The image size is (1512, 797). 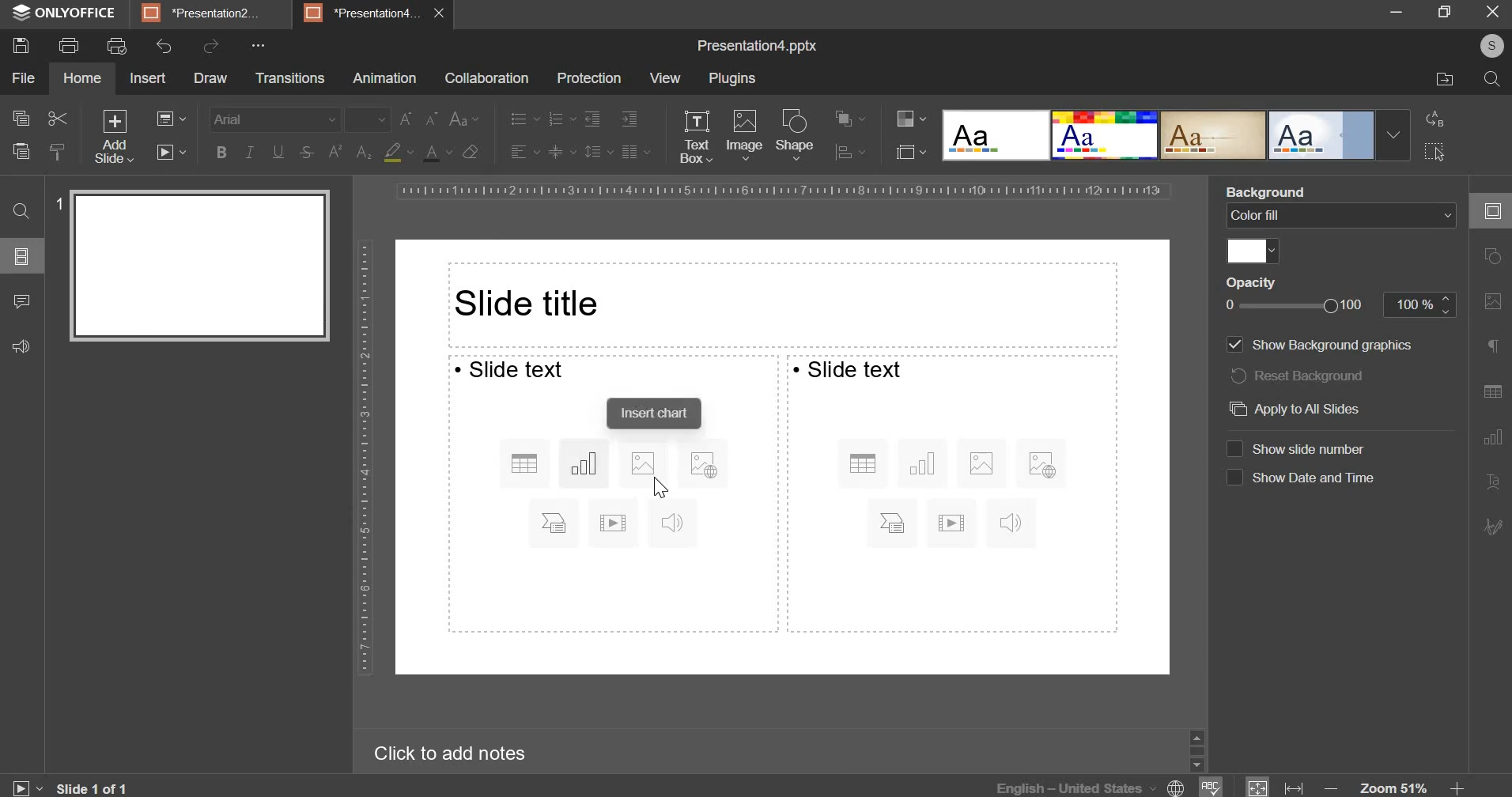 What do you see at coordinates (1341, 217) in the screenshot?
I see `background fill` at bounding box center [1341, 217].